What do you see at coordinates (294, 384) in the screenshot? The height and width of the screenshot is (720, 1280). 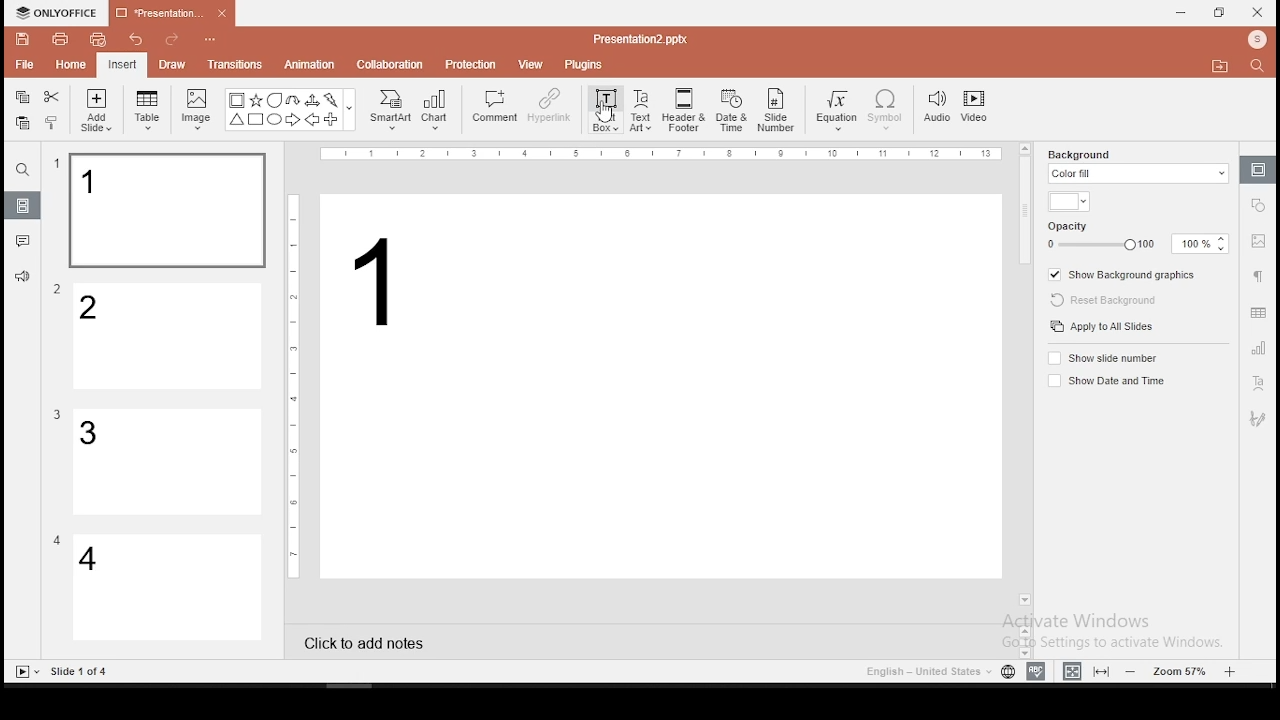 I see `` at bounding box center [294, 384].